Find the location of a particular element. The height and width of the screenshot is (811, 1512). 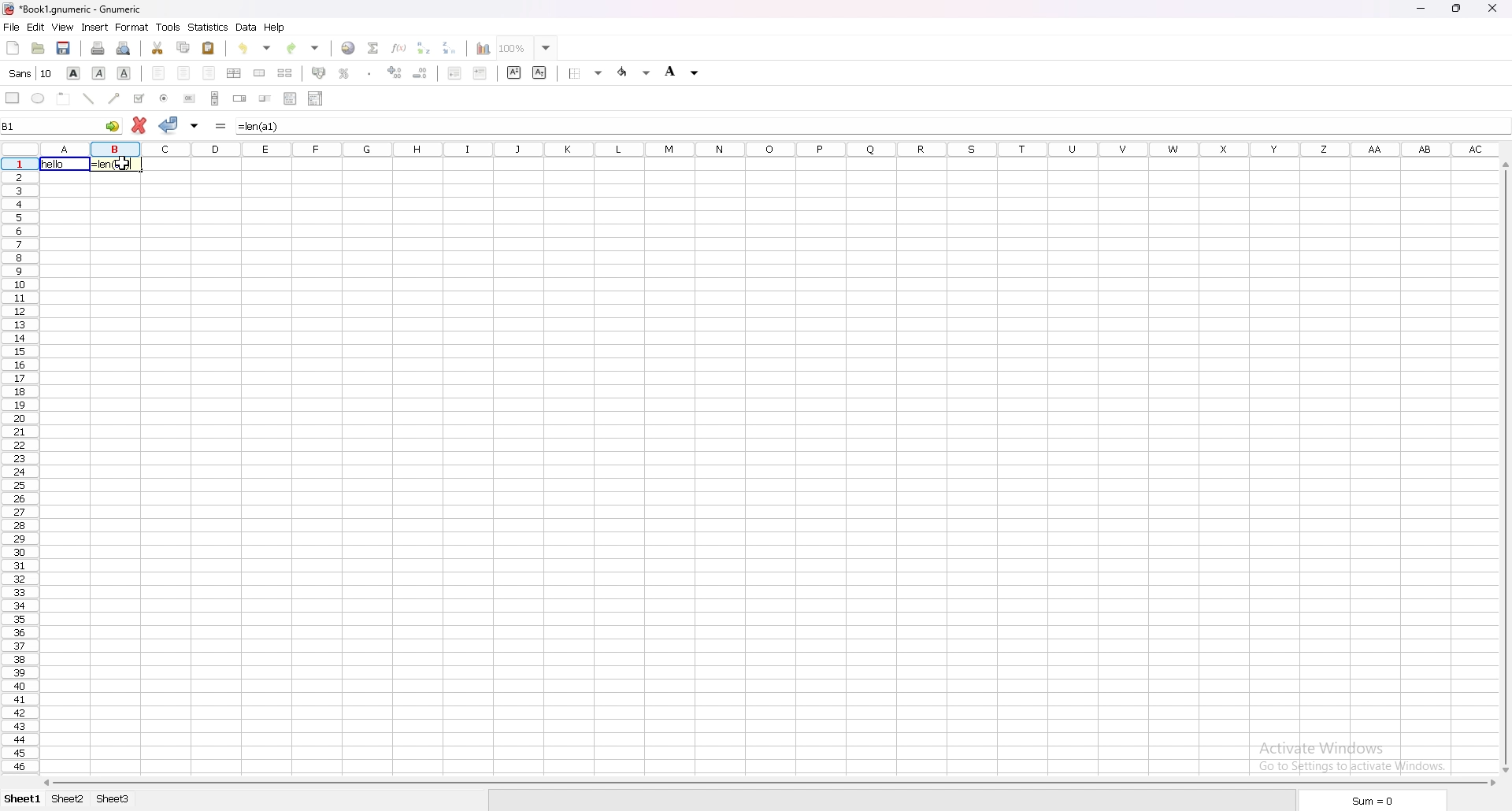

column is located at coordinates (766, 148).